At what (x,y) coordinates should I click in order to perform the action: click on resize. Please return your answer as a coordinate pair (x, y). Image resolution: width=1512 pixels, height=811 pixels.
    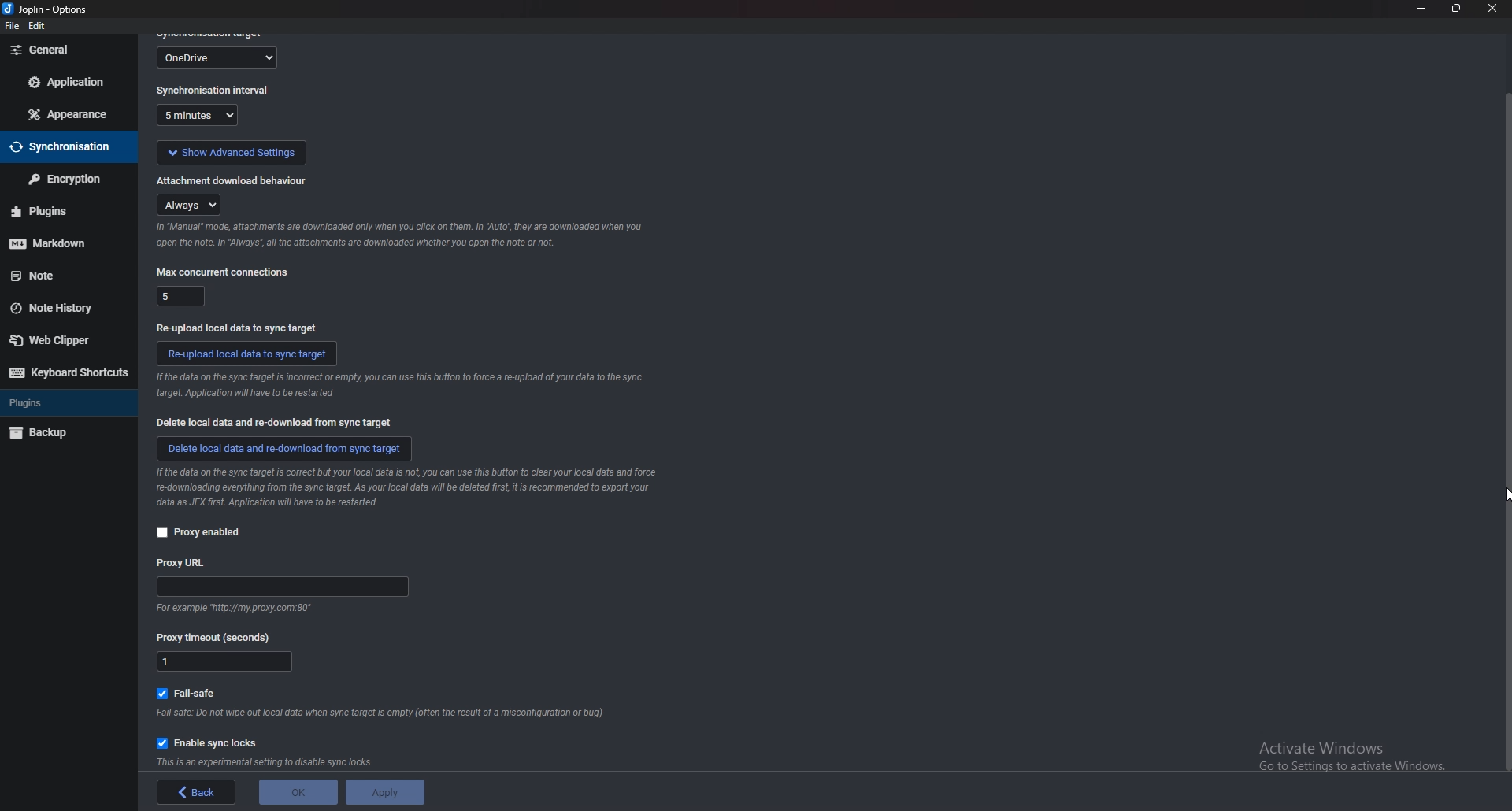
    Looking at the image, I should click on (1455, 9).